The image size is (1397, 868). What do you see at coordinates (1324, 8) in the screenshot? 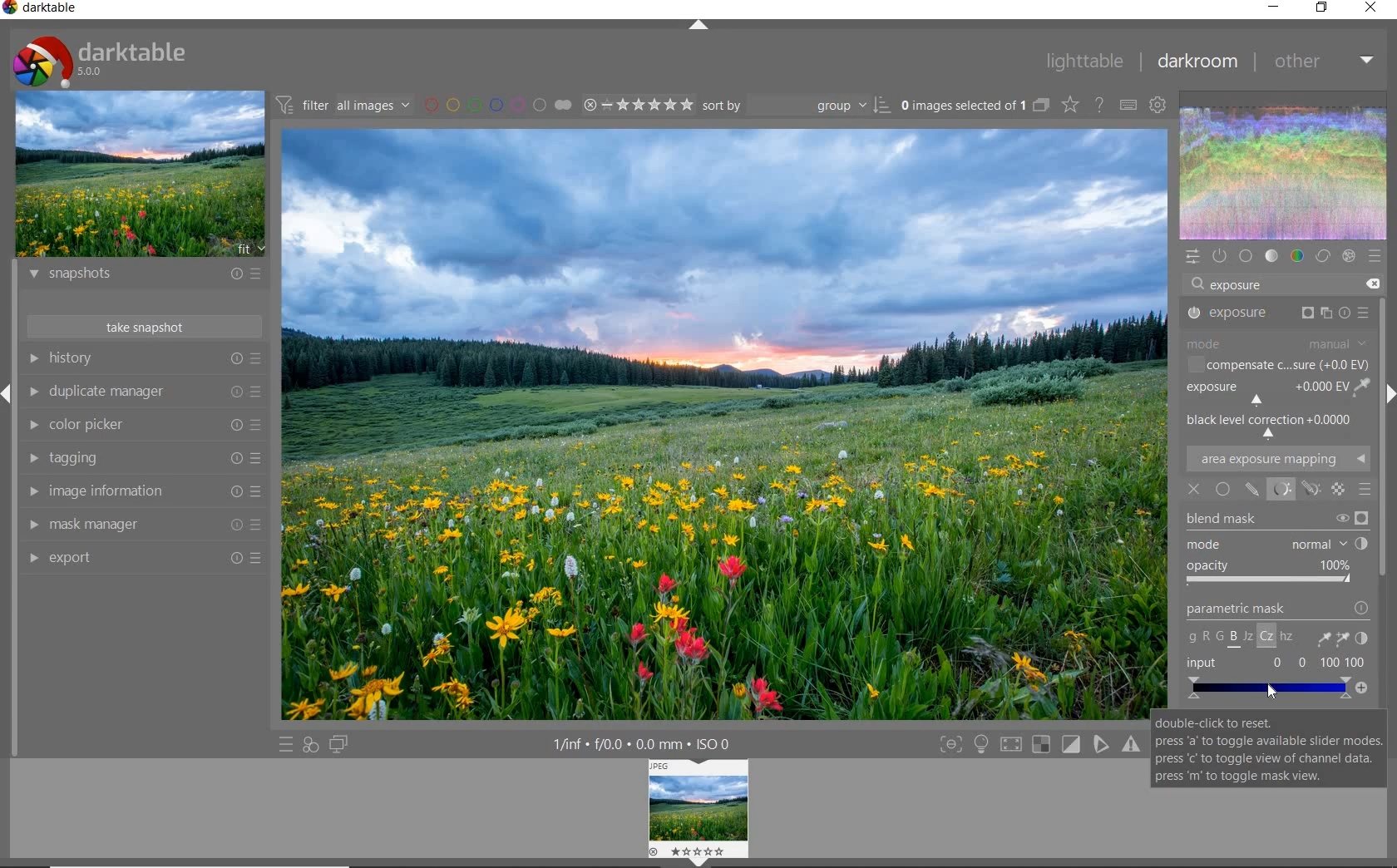
I see `restore` at bounding box center [1324, 8].